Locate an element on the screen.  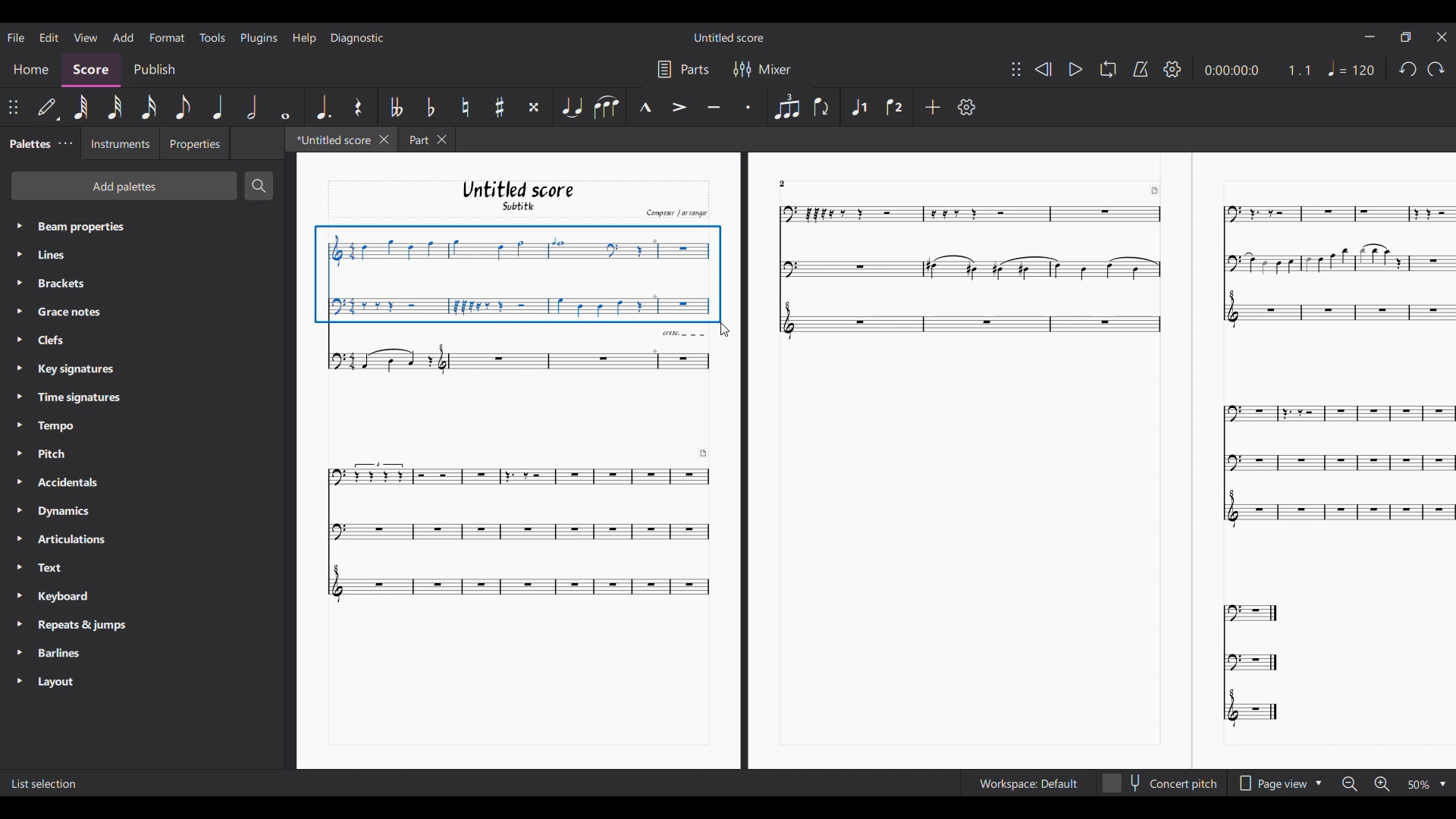
Minimize is located at coordinates (1370, 36).